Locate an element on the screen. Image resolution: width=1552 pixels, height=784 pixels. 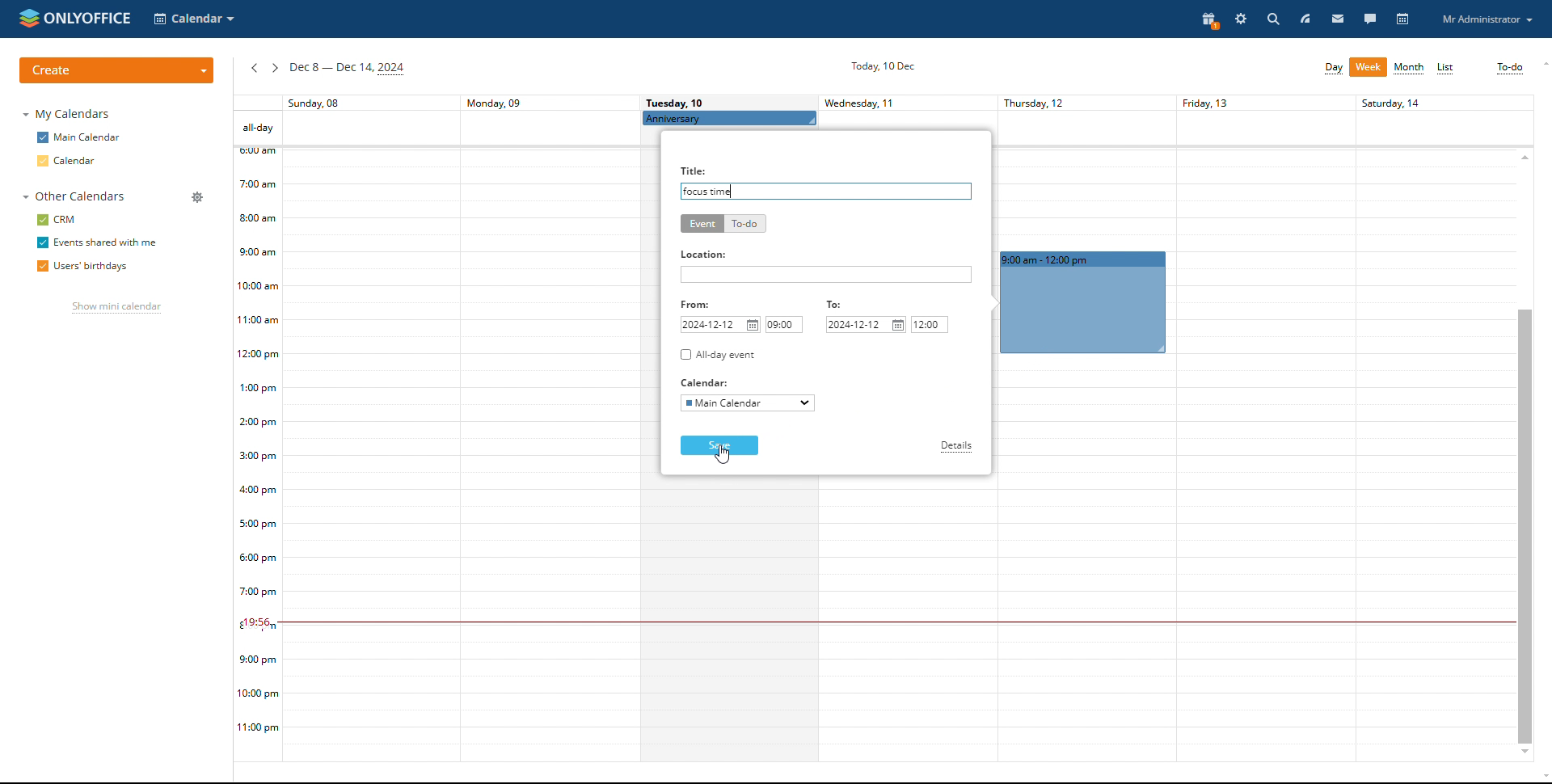
event is located at coordinates (702, 224).